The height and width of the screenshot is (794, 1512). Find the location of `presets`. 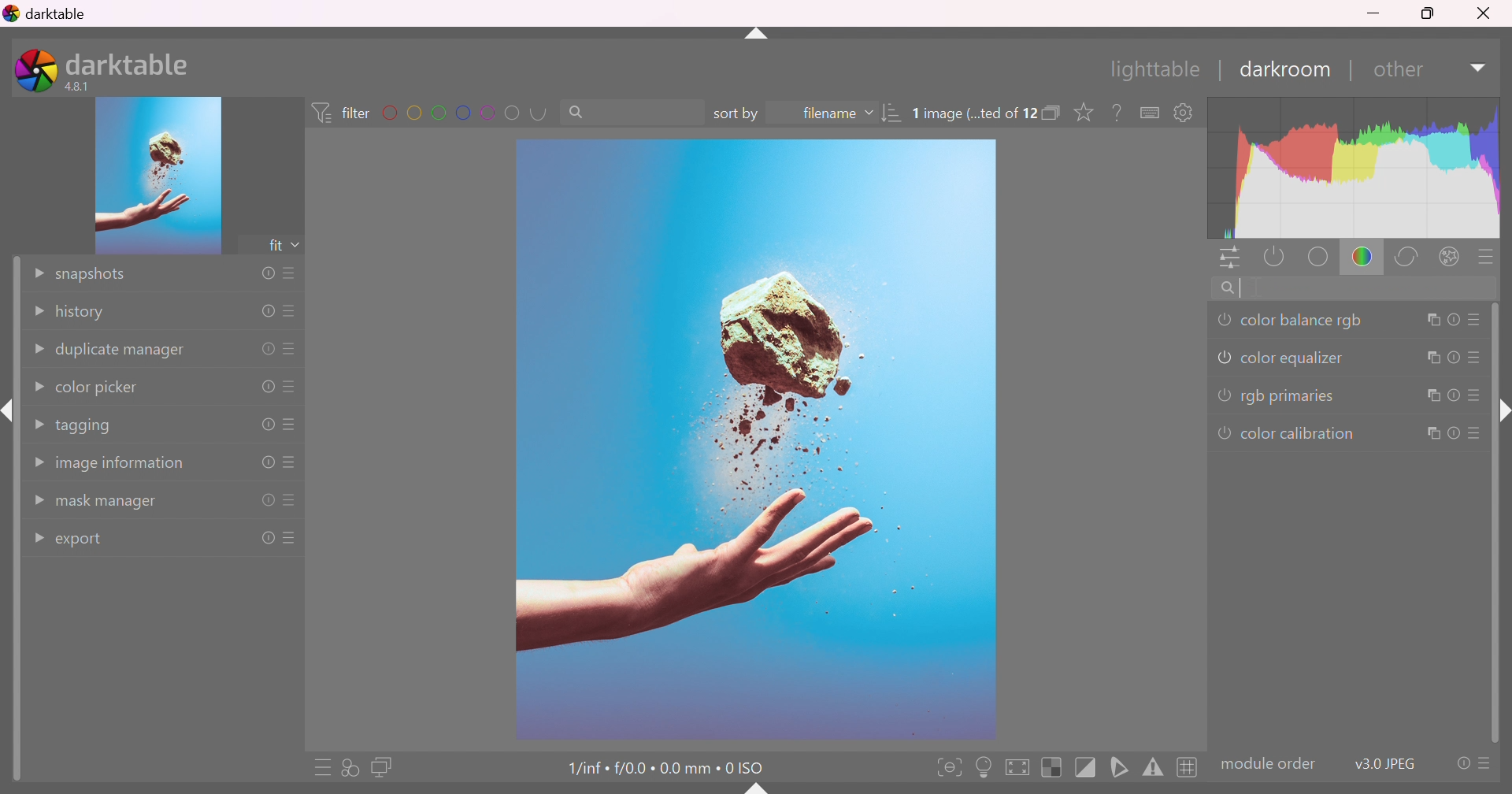

presets is located at coordinates (291, 501).